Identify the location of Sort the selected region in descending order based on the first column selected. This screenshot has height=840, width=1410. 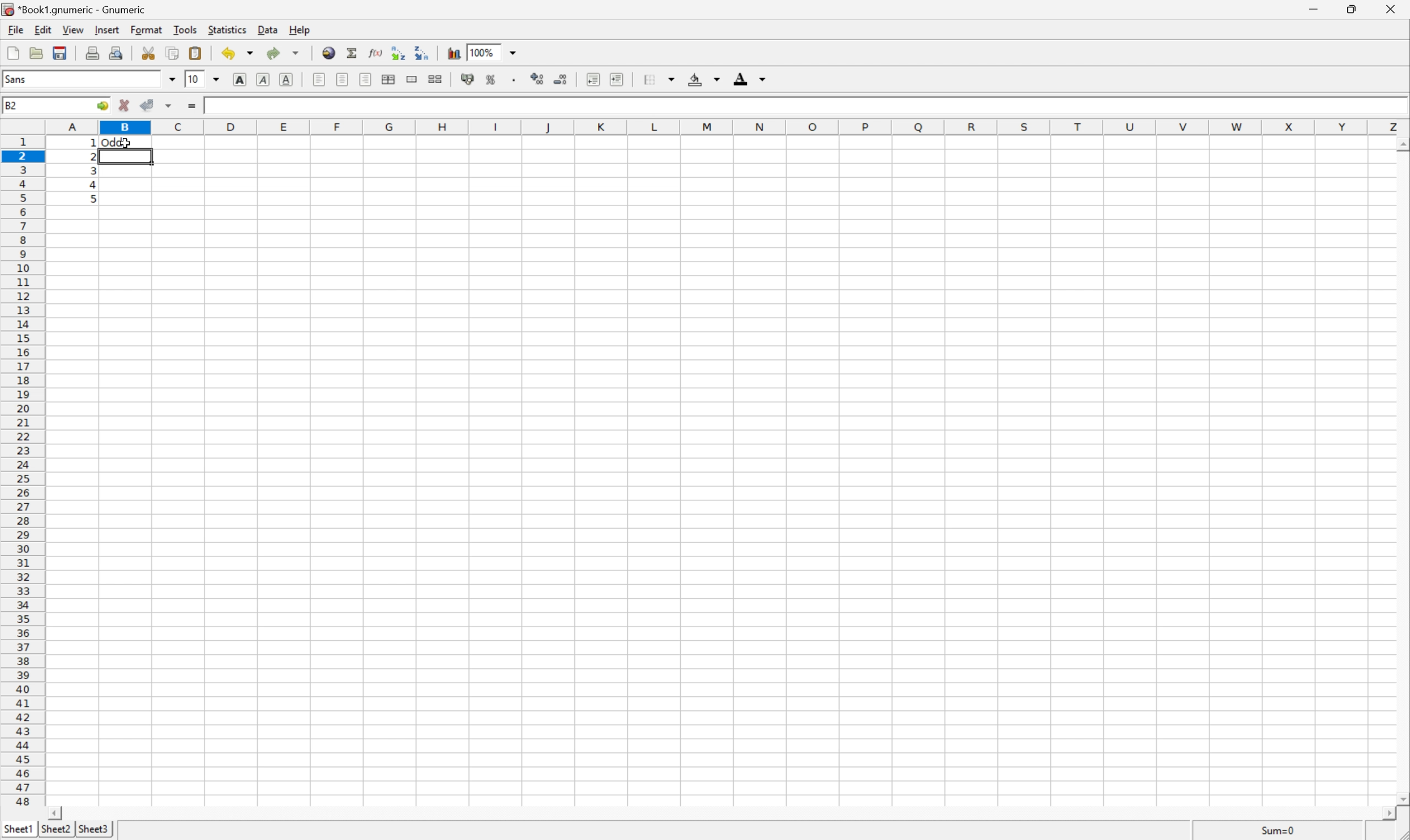
(421, 52).